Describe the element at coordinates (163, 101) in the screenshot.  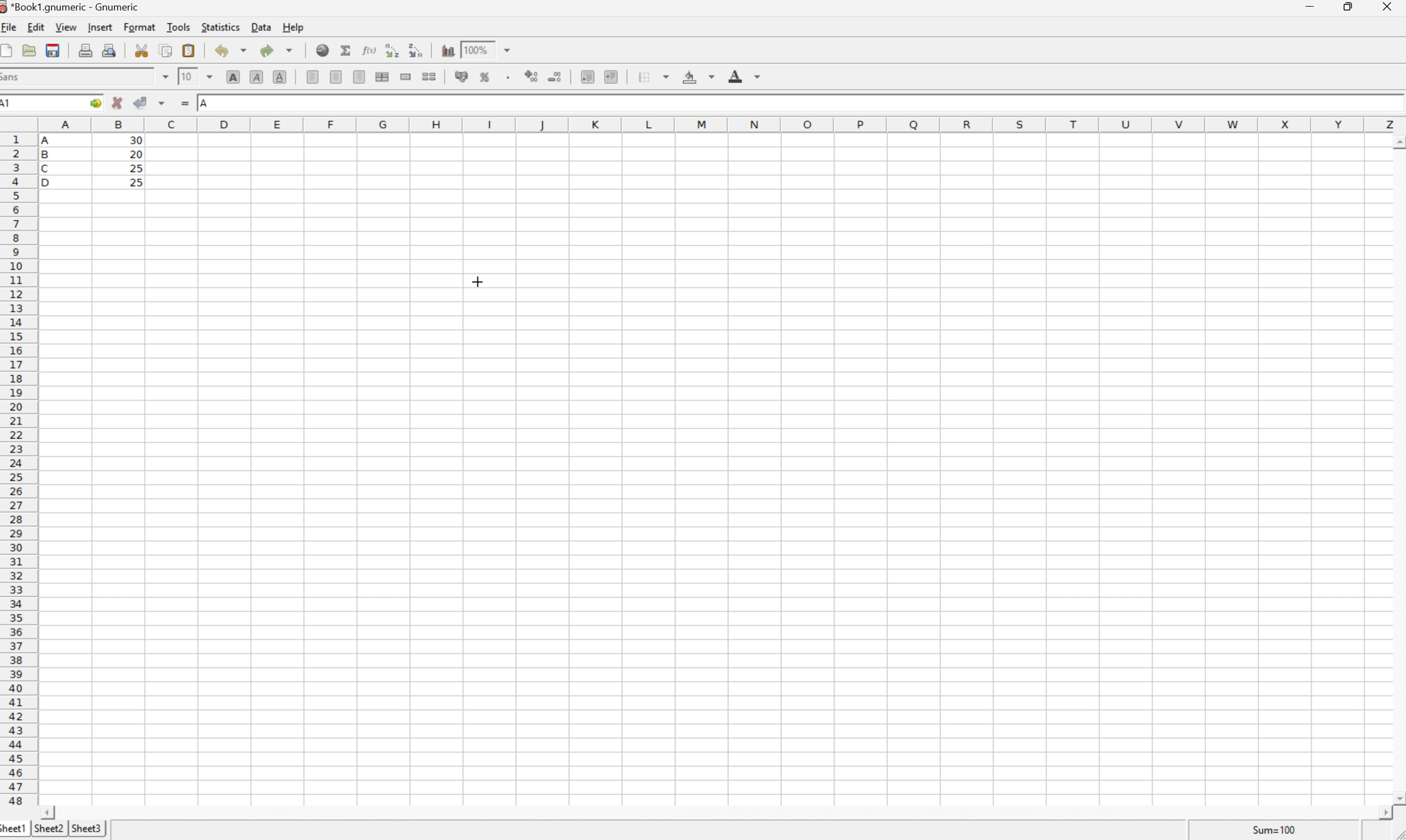
I see `Accept changes in multiple cells` at that location.